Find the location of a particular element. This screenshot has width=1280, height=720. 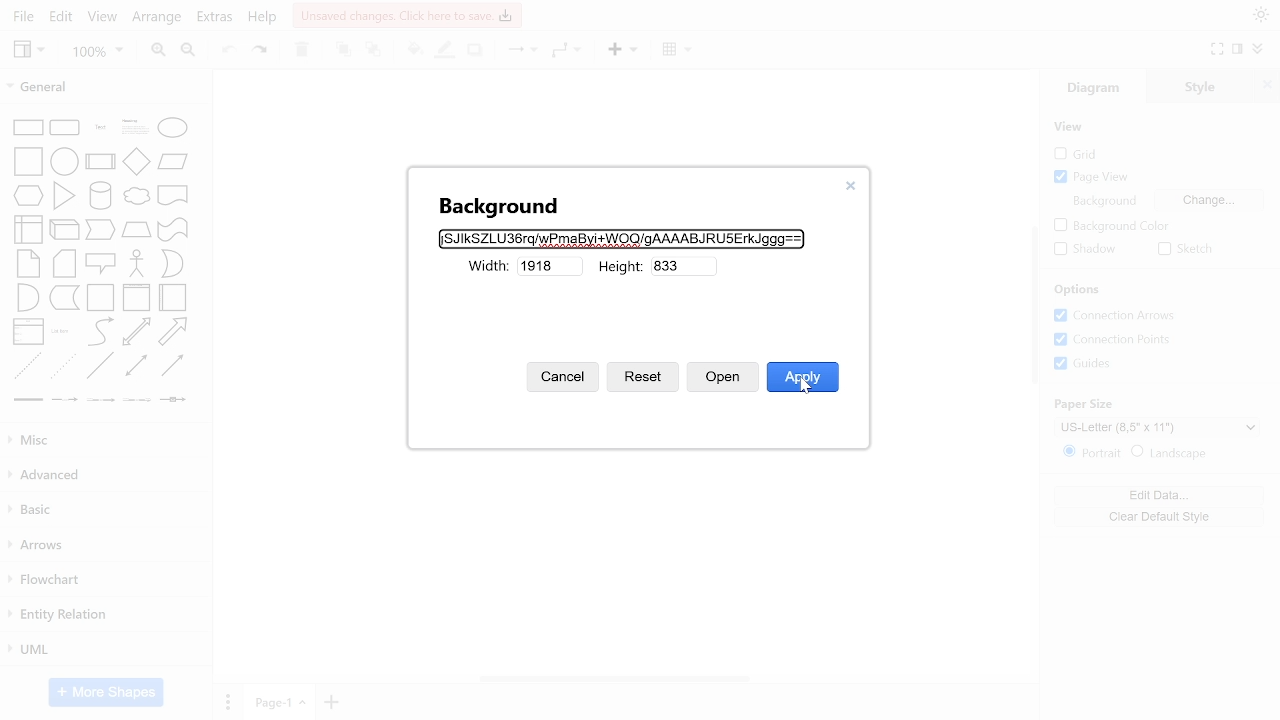

general shapes is located at coordinates (61, 125).